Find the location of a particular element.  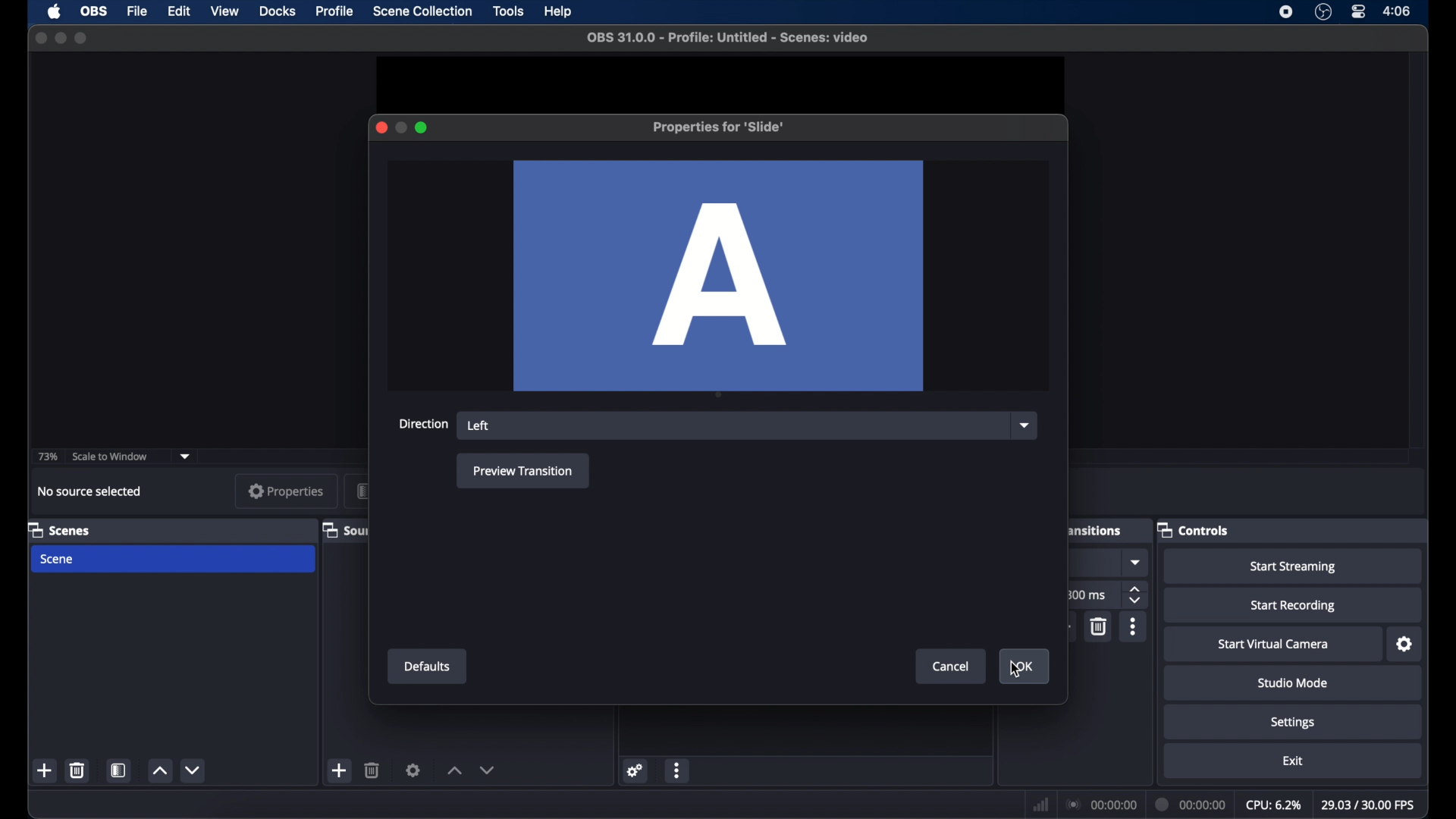

screen recorder icon is located at coordinates (1285, 11).